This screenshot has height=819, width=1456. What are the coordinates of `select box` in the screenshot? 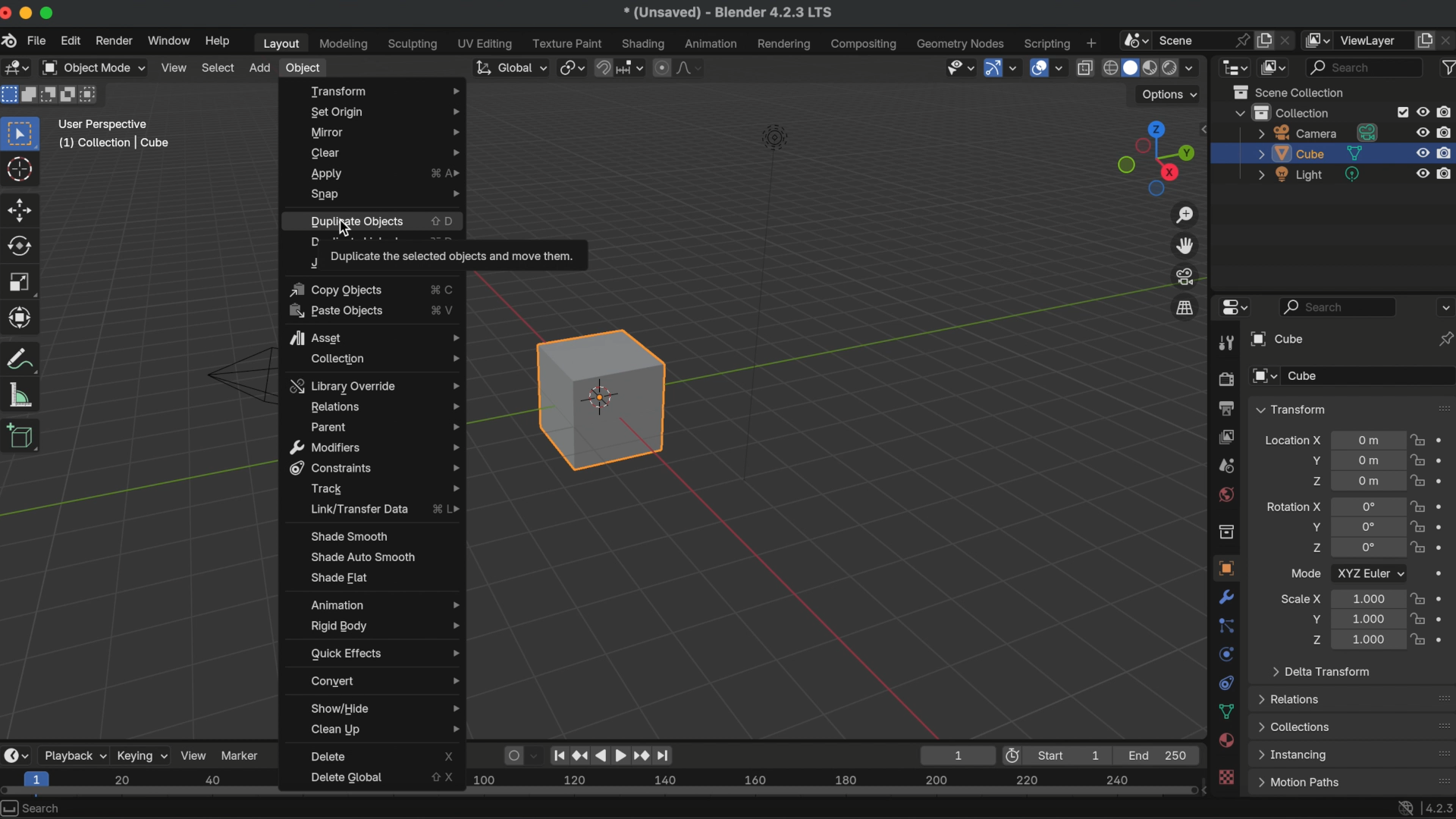 It's located at (23, 133).